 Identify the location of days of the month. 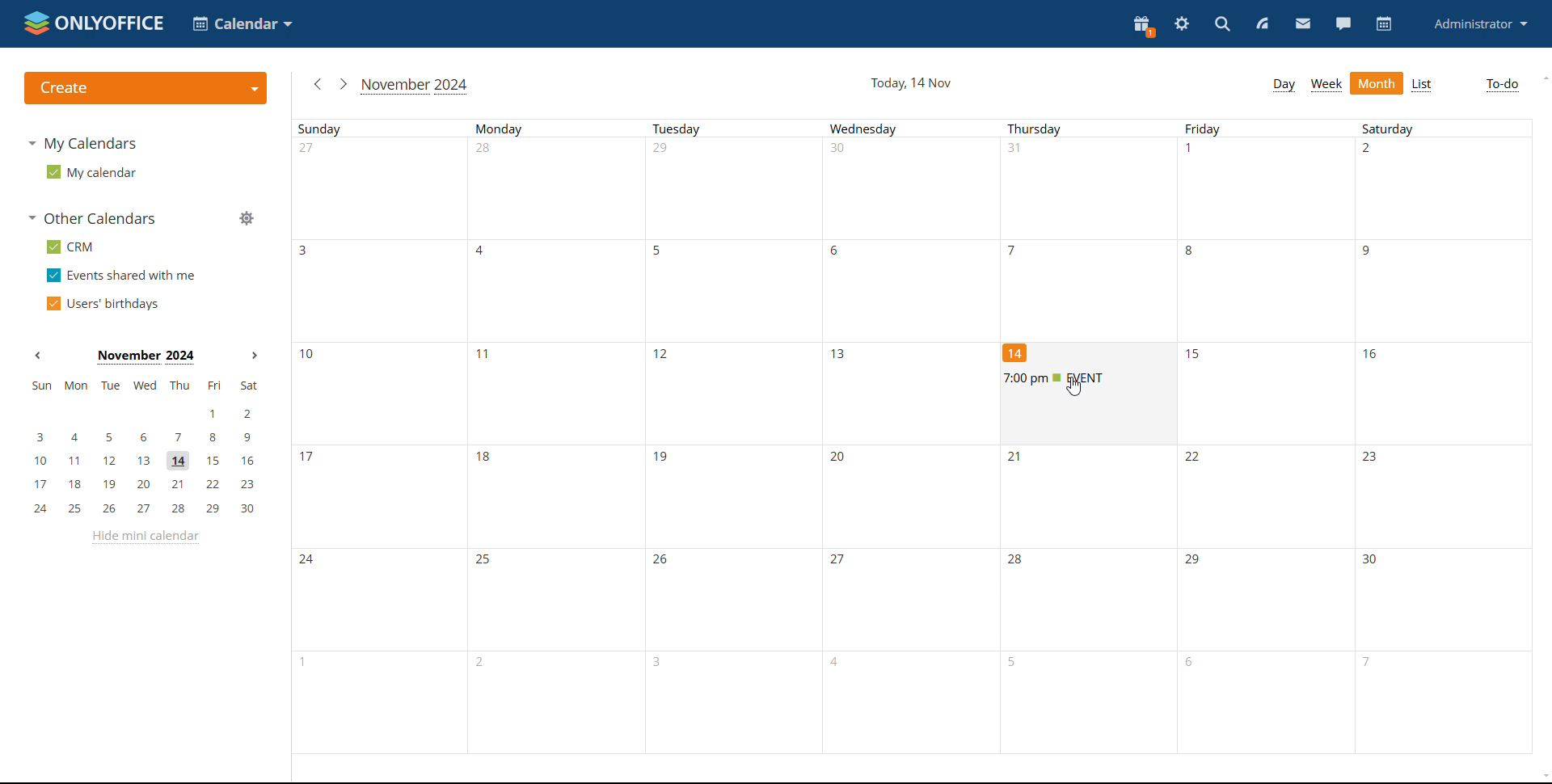
(1089, 602).